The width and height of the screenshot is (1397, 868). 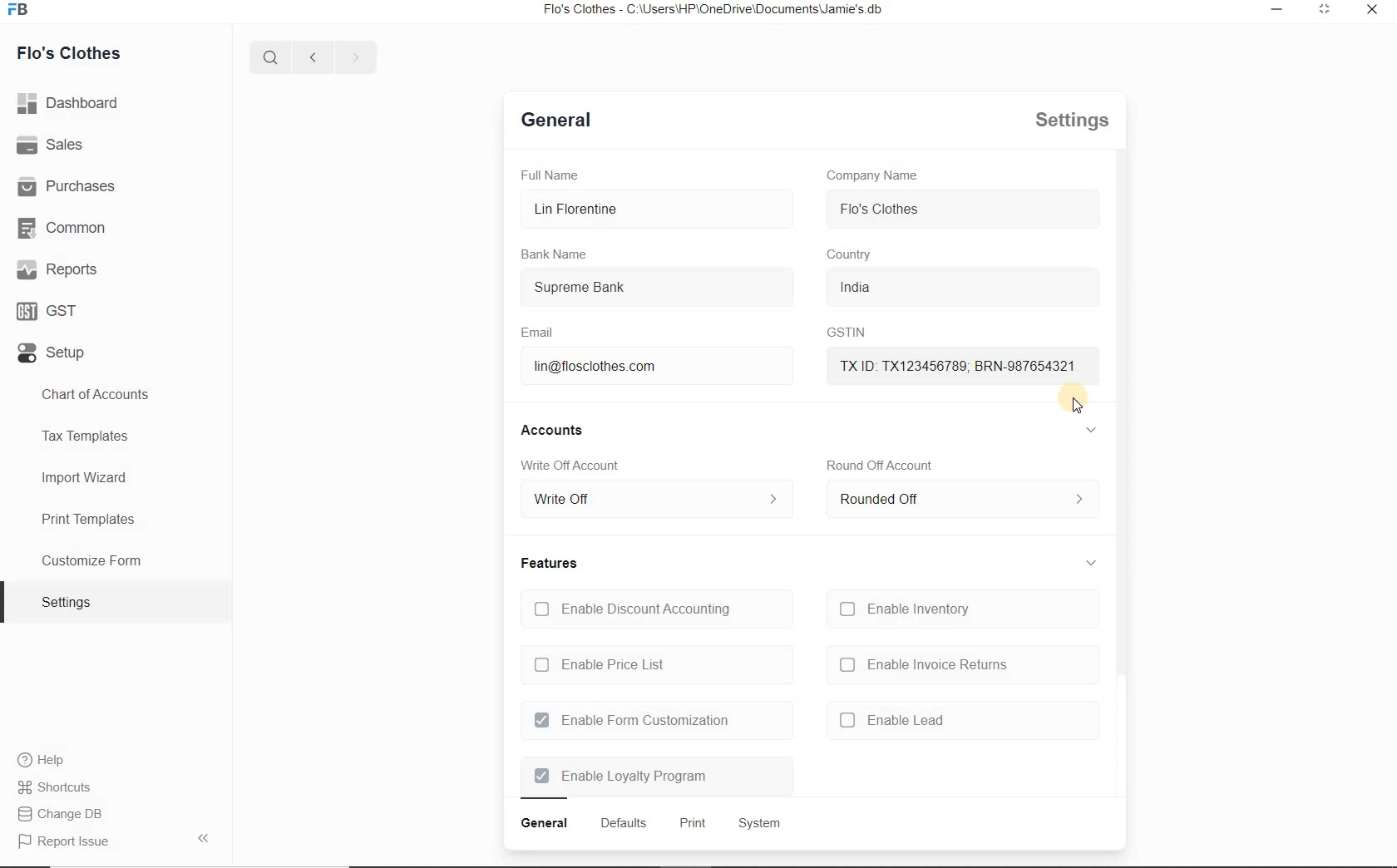 What do you see at coordinates (646, 210) in the screenshot?
I see `Lin Florentine` at bounding box center [646, 210].